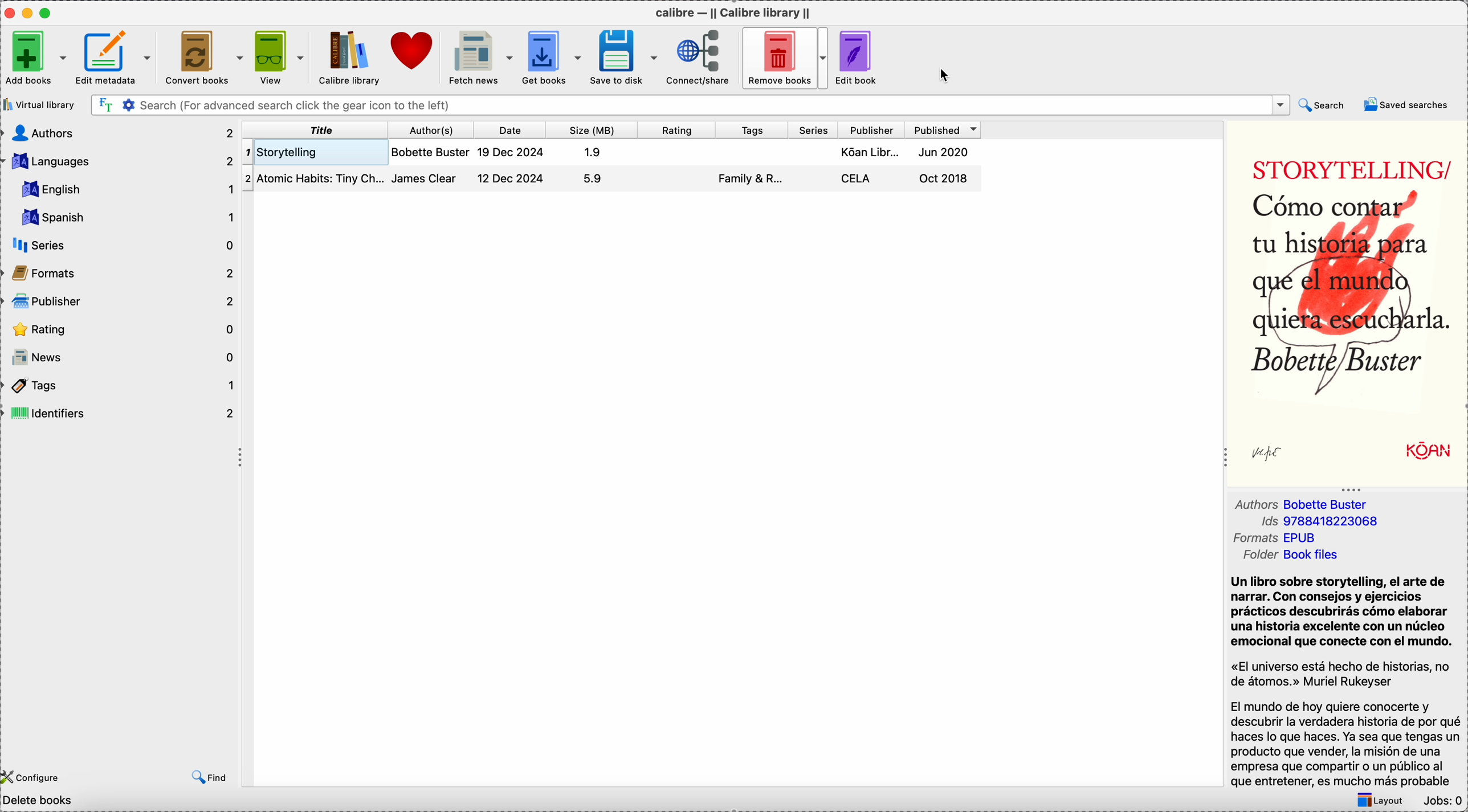  What do you see at coordinates (34, 62) in the screenshot?
I see `add books` at bounding box center [34, 62].